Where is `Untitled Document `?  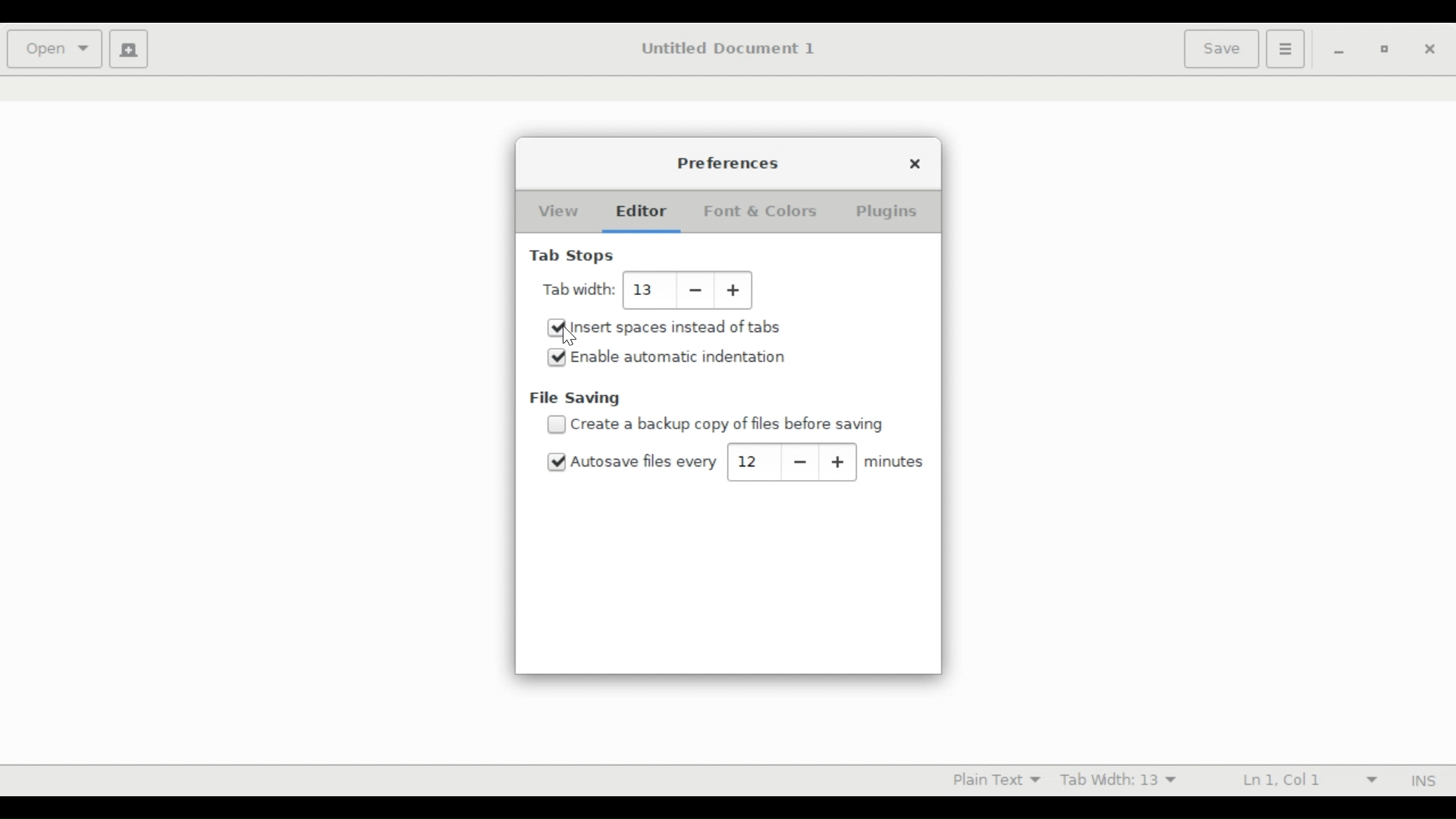
Untitled Document  is located at coordinates (735, 49).